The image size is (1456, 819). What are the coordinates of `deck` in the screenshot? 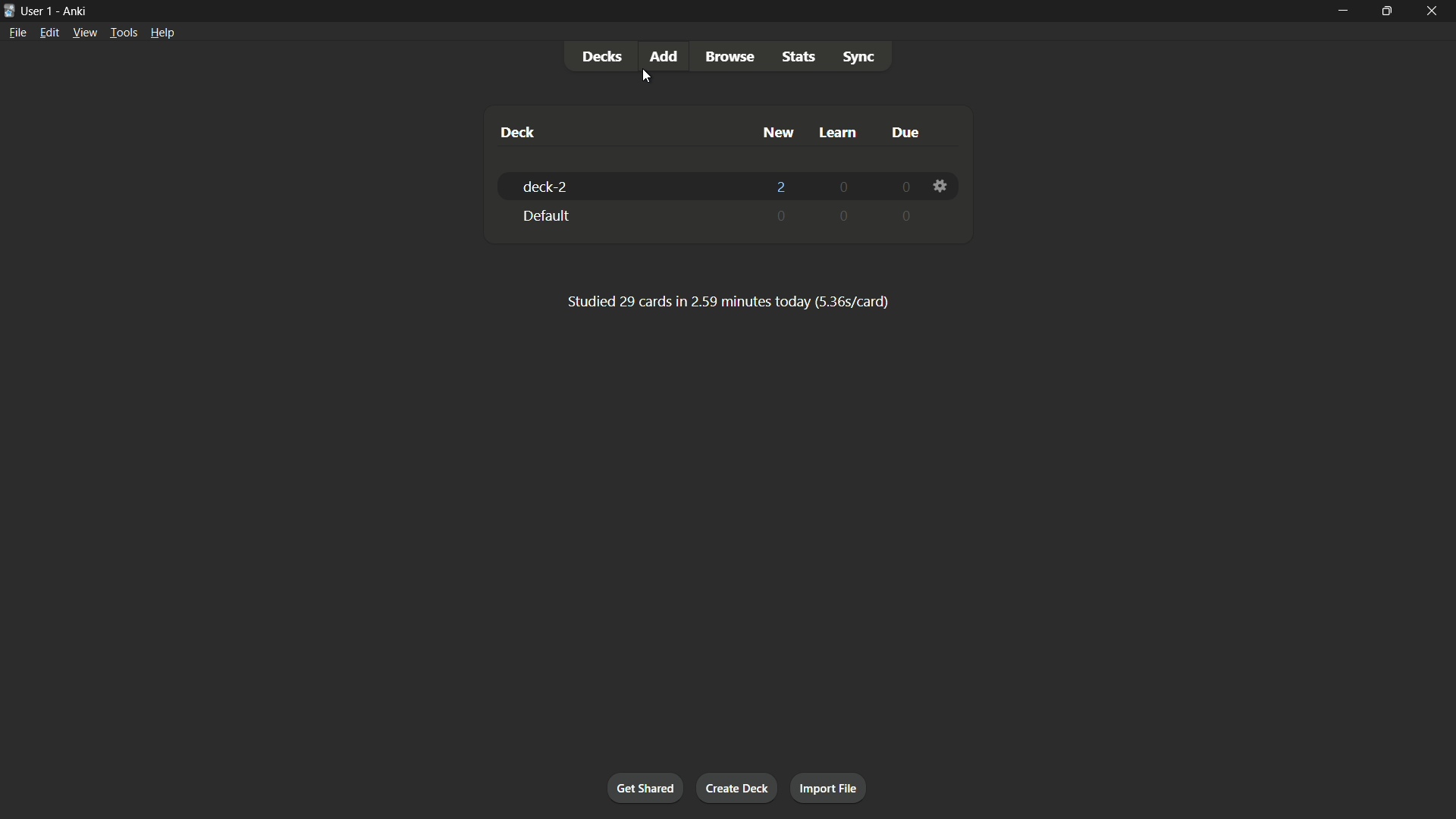 It's located at (516, 133).